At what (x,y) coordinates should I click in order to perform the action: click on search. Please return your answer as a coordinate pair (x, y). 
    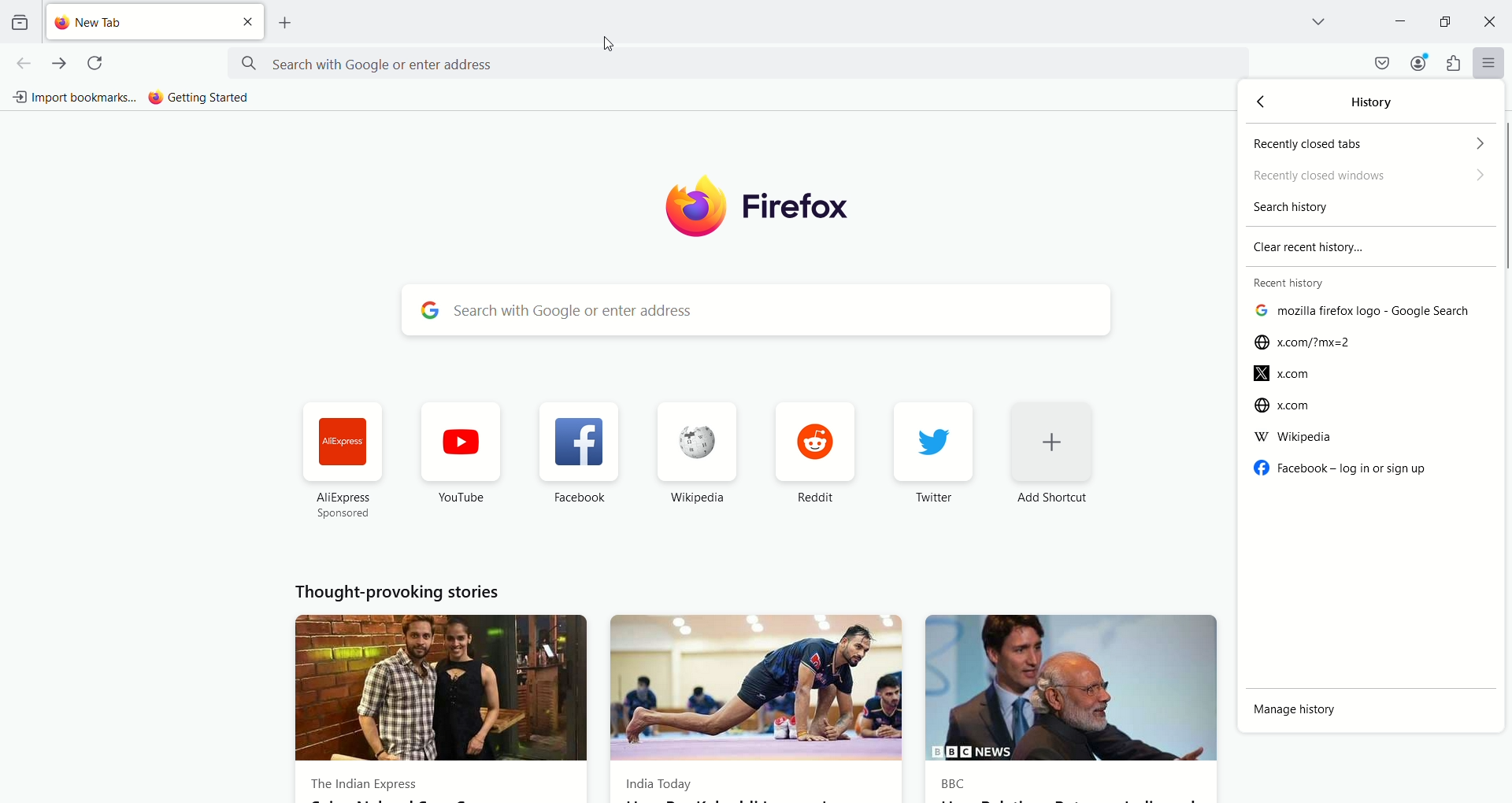
    Looking at the image, I should click on (754, 314).